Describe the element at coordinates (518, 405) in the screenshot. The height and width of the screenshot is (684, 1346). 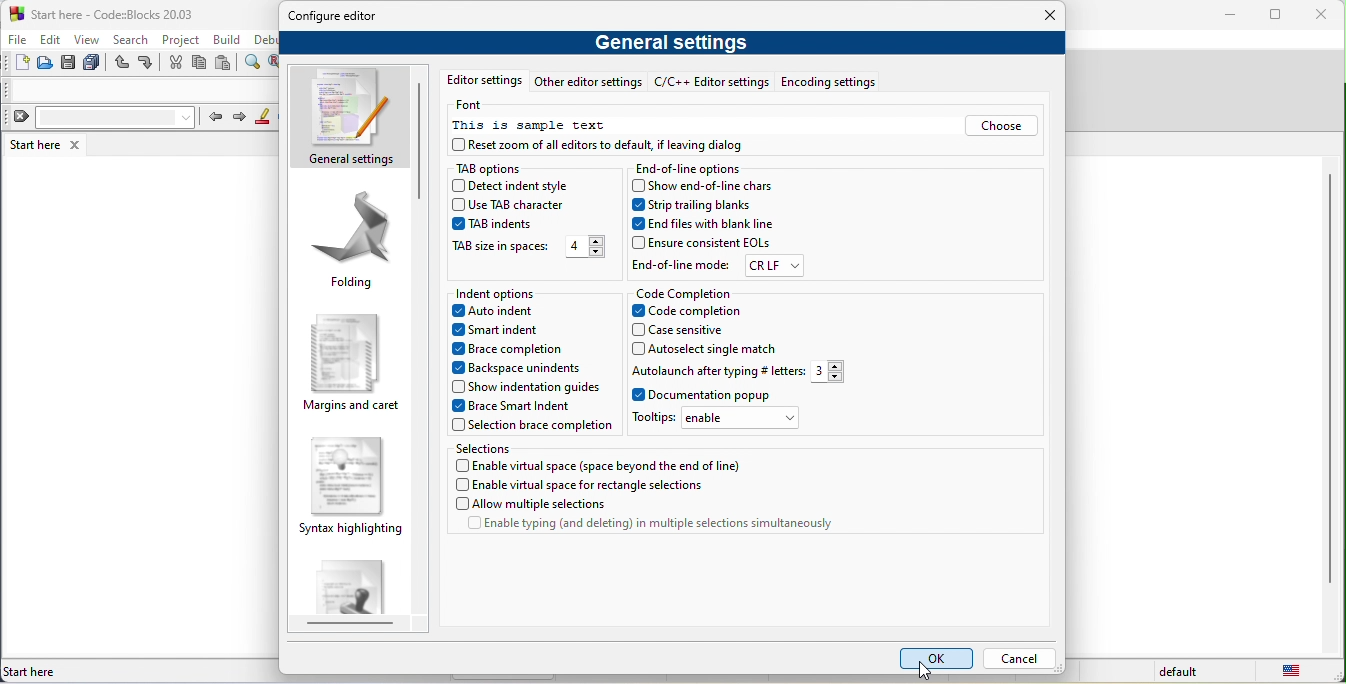
I see `brace smart indent` at that location.